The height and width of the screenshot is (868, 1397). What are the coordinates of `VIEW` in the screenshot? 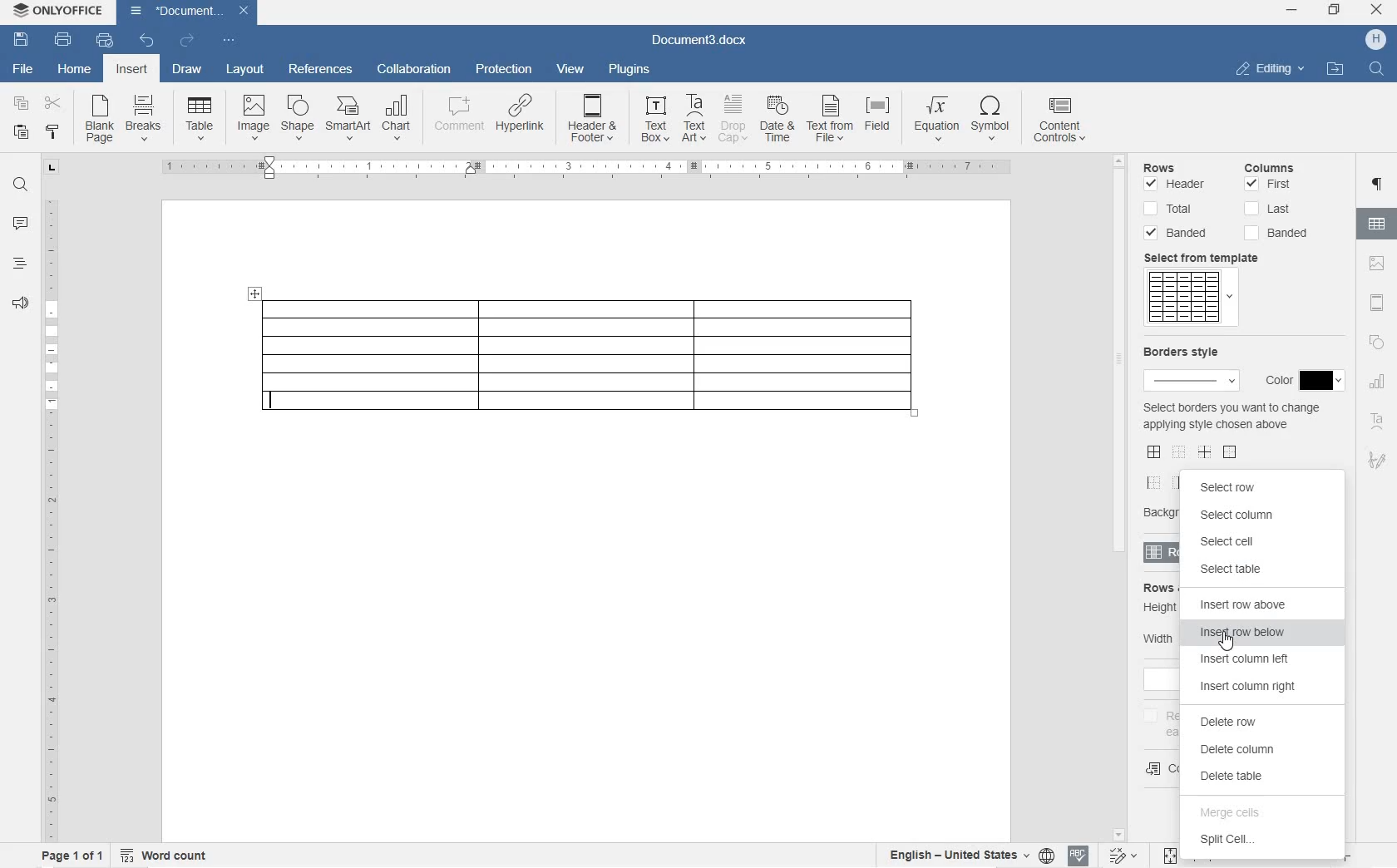 It's located at (571, 70).